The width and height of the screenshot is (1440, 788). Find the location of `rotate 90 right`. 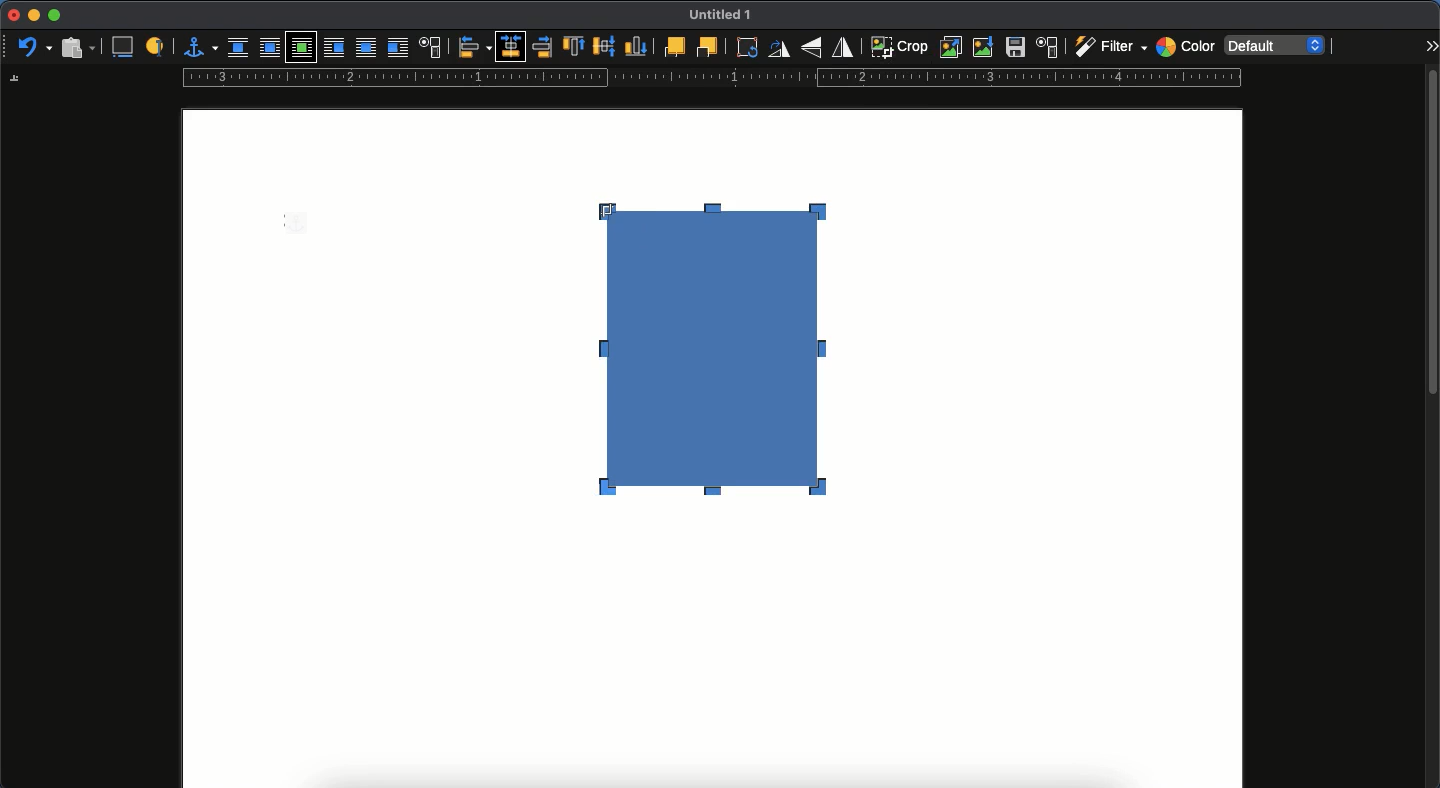

rotate 90 right is located at coordinates (779, 51).